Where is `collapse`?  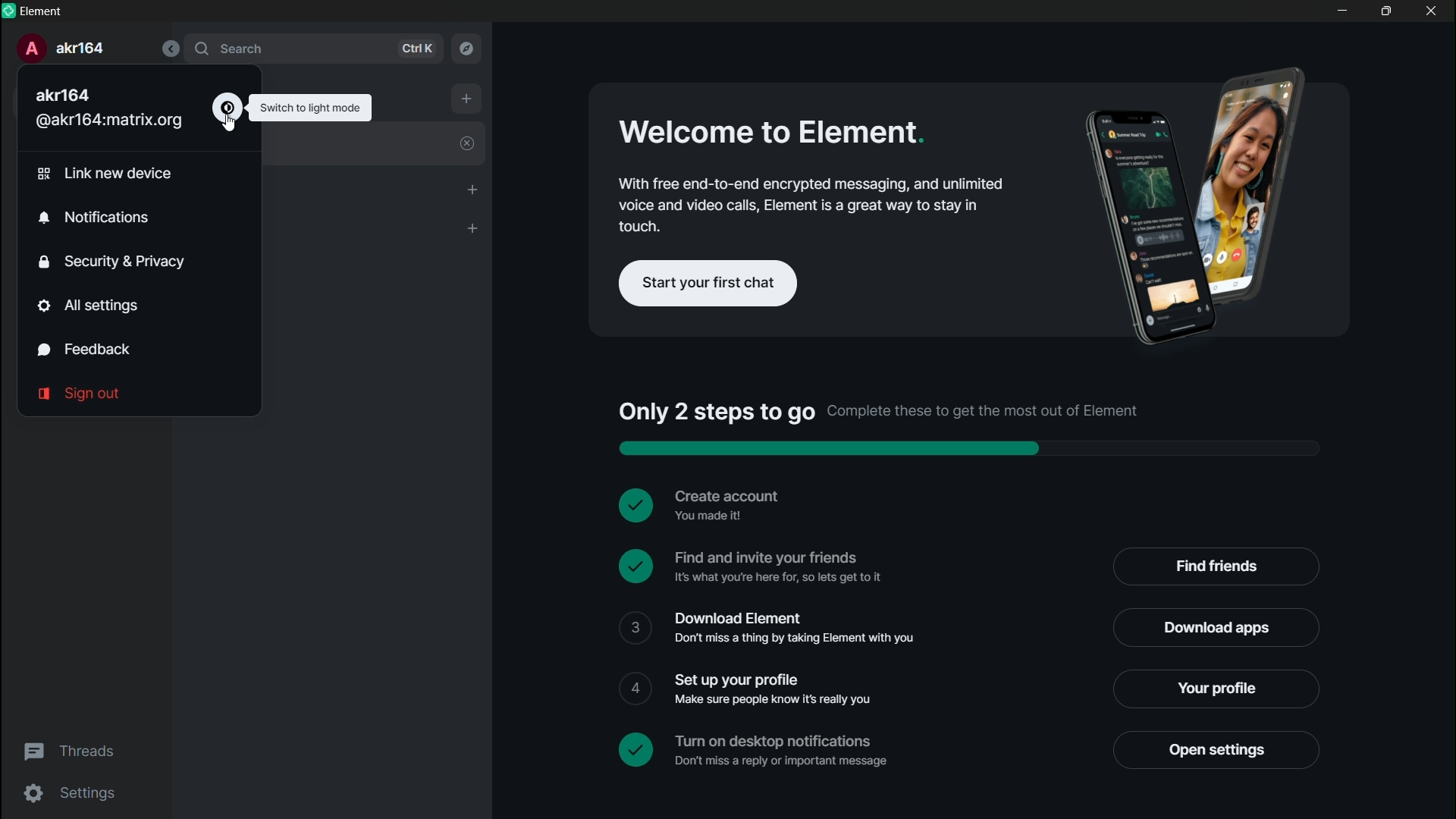 collapse is located at coordinates (170, 47).